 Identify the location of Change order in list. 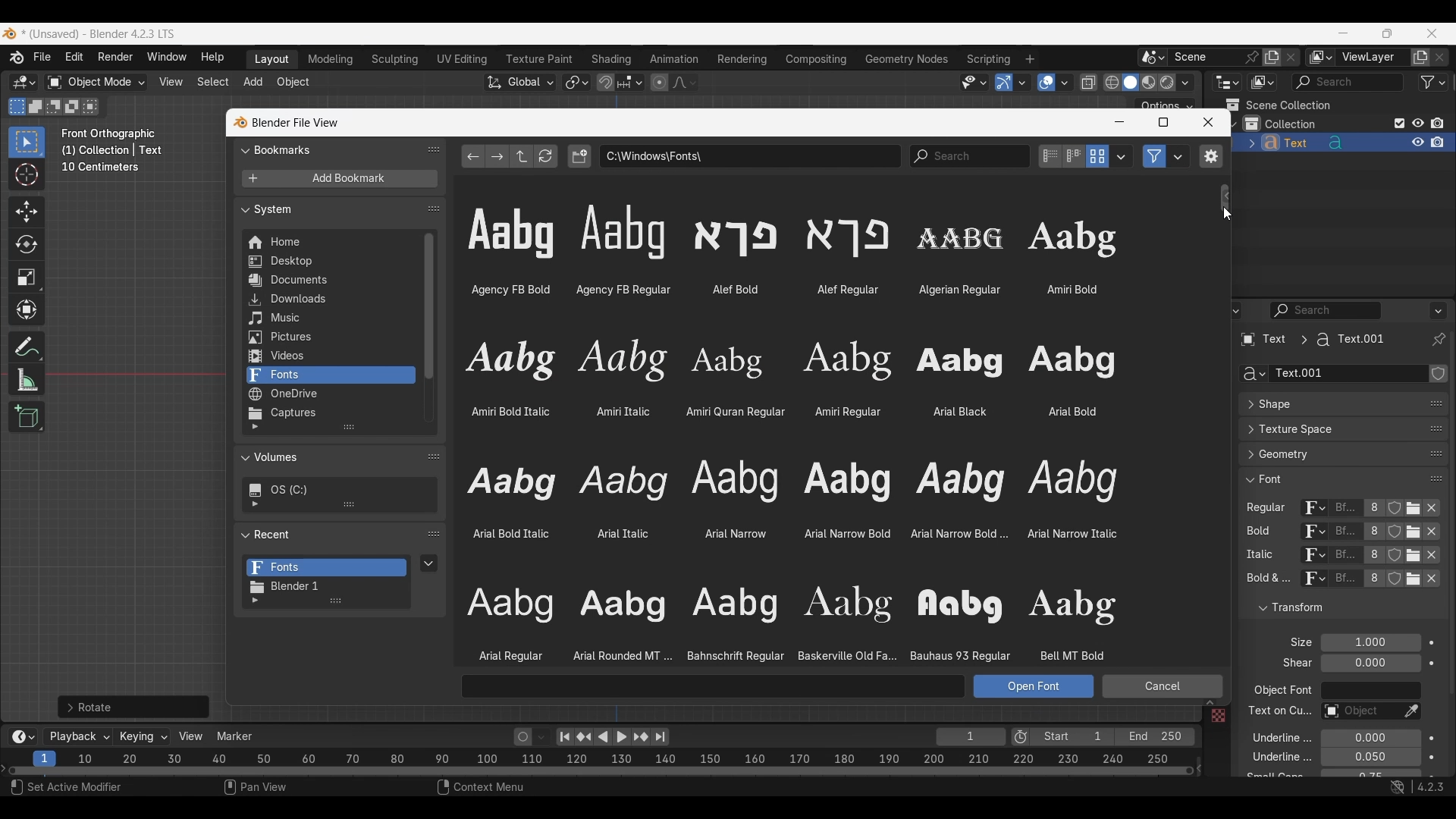
(434, 209).